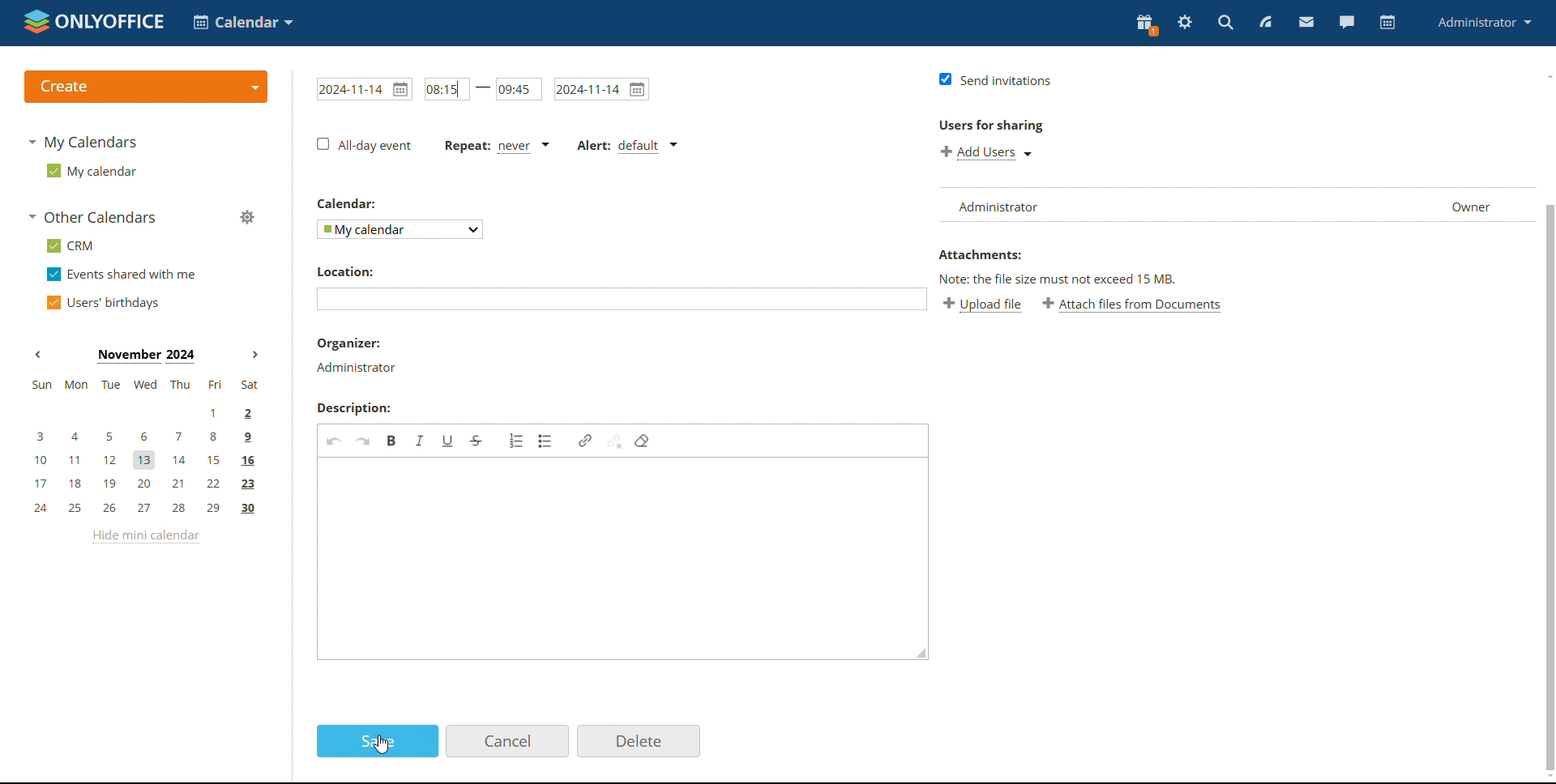 The image size is (1556, 784). Describe the element at coordinates (94, 217) in the screenshot. I see `other calendars` at that location.